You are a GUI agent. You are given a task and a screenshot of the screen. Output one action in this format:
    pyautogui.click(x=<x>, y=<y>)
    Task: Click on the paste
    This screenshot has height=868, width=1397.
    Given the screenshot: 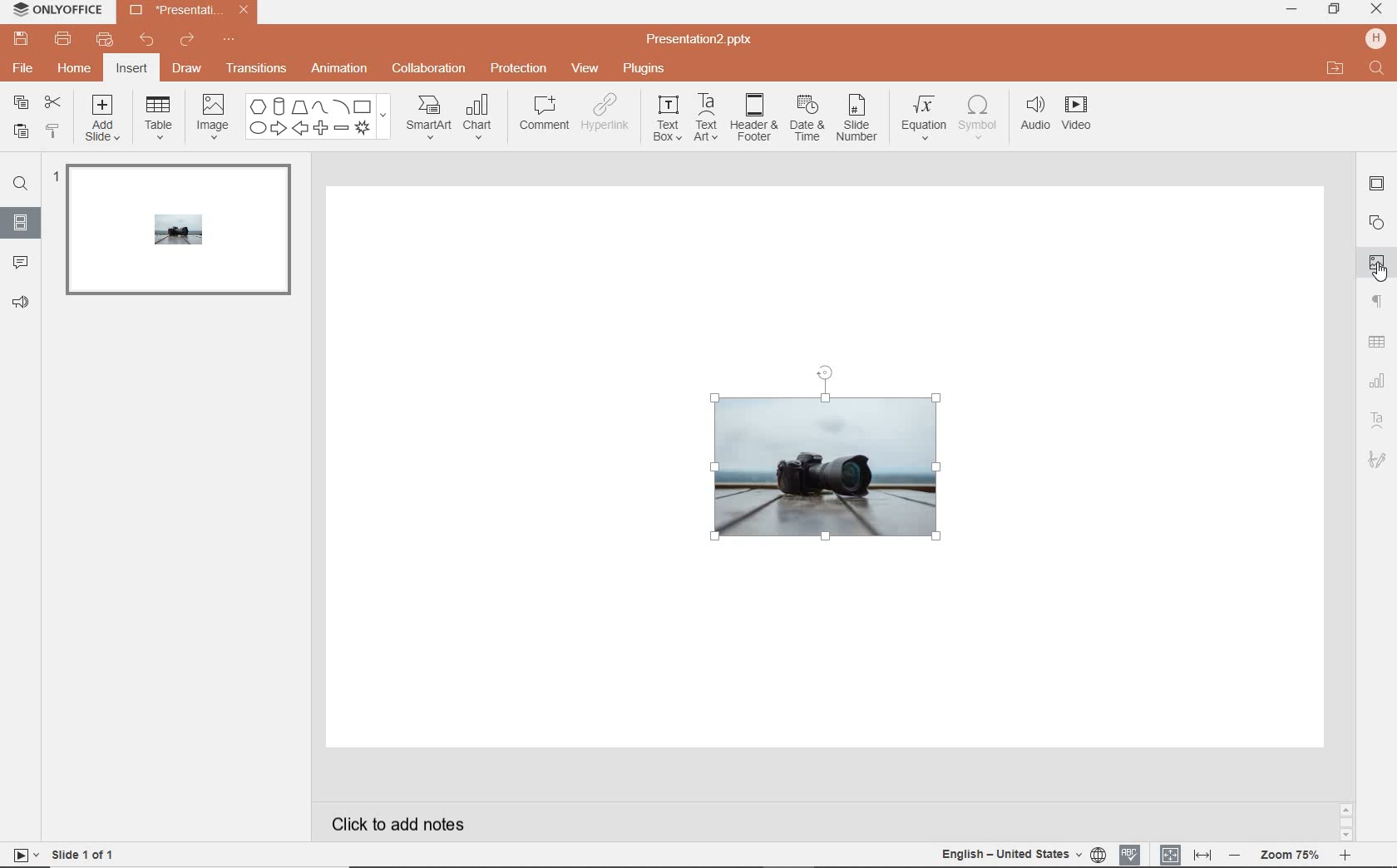 What is the action you would take?
    pyautogui.click(x=18, y=131)
    